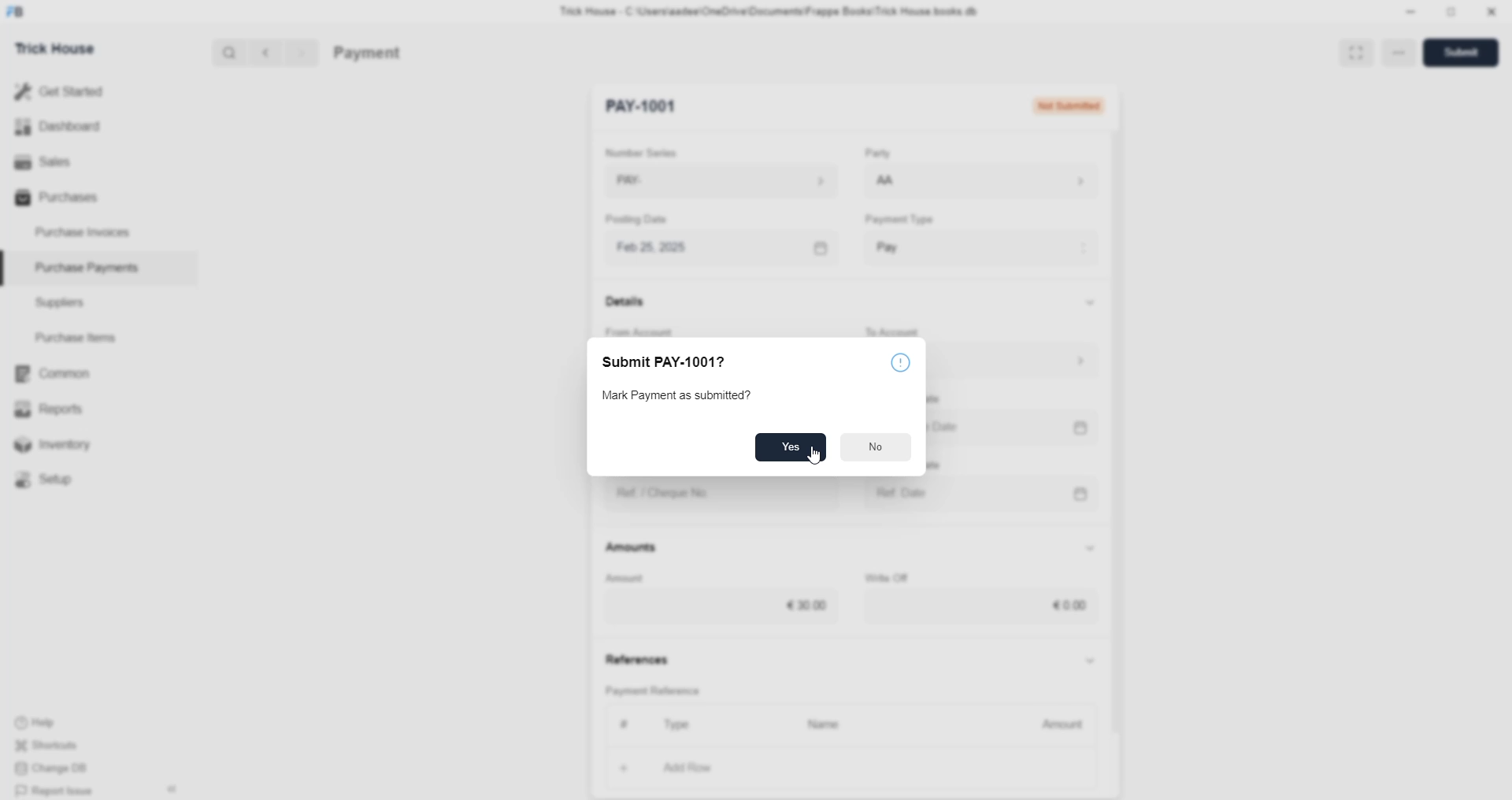 The height and width of the screenshot is (800, 1512). Describe the element at coordinates (60, 90) in the screenshot. I see ` Get Started` at that location.